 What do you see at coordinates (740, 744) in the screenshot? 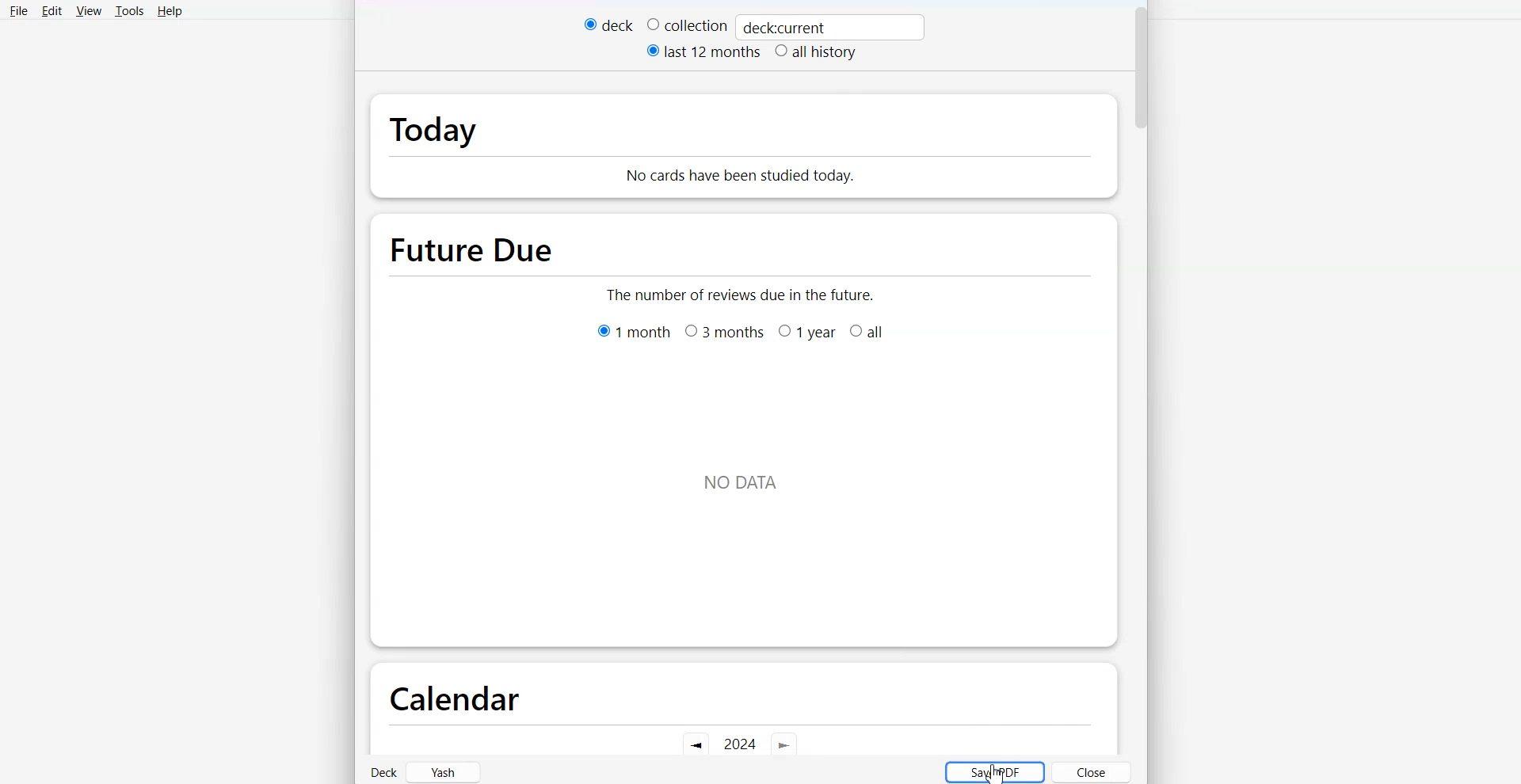
I see `Current year` at bounding box center [740, 744].